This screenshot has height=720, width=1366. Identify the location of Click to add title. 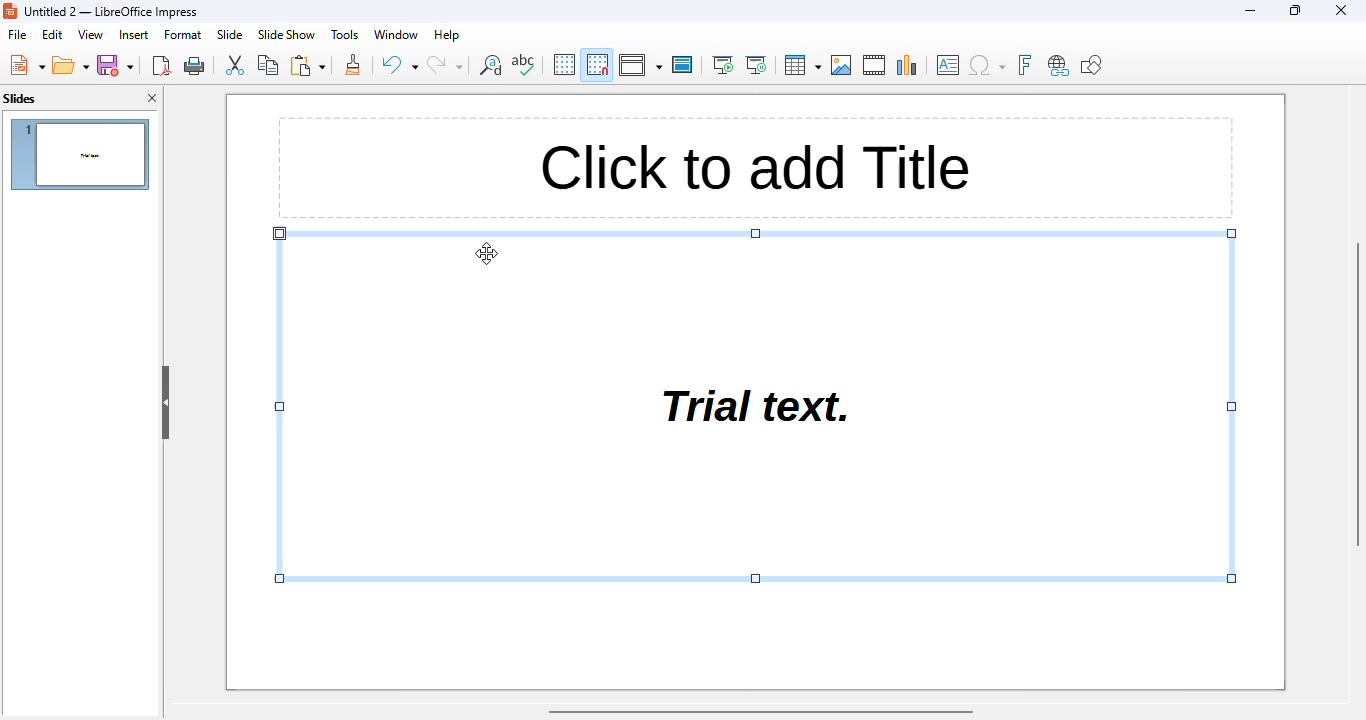
(753, 169).